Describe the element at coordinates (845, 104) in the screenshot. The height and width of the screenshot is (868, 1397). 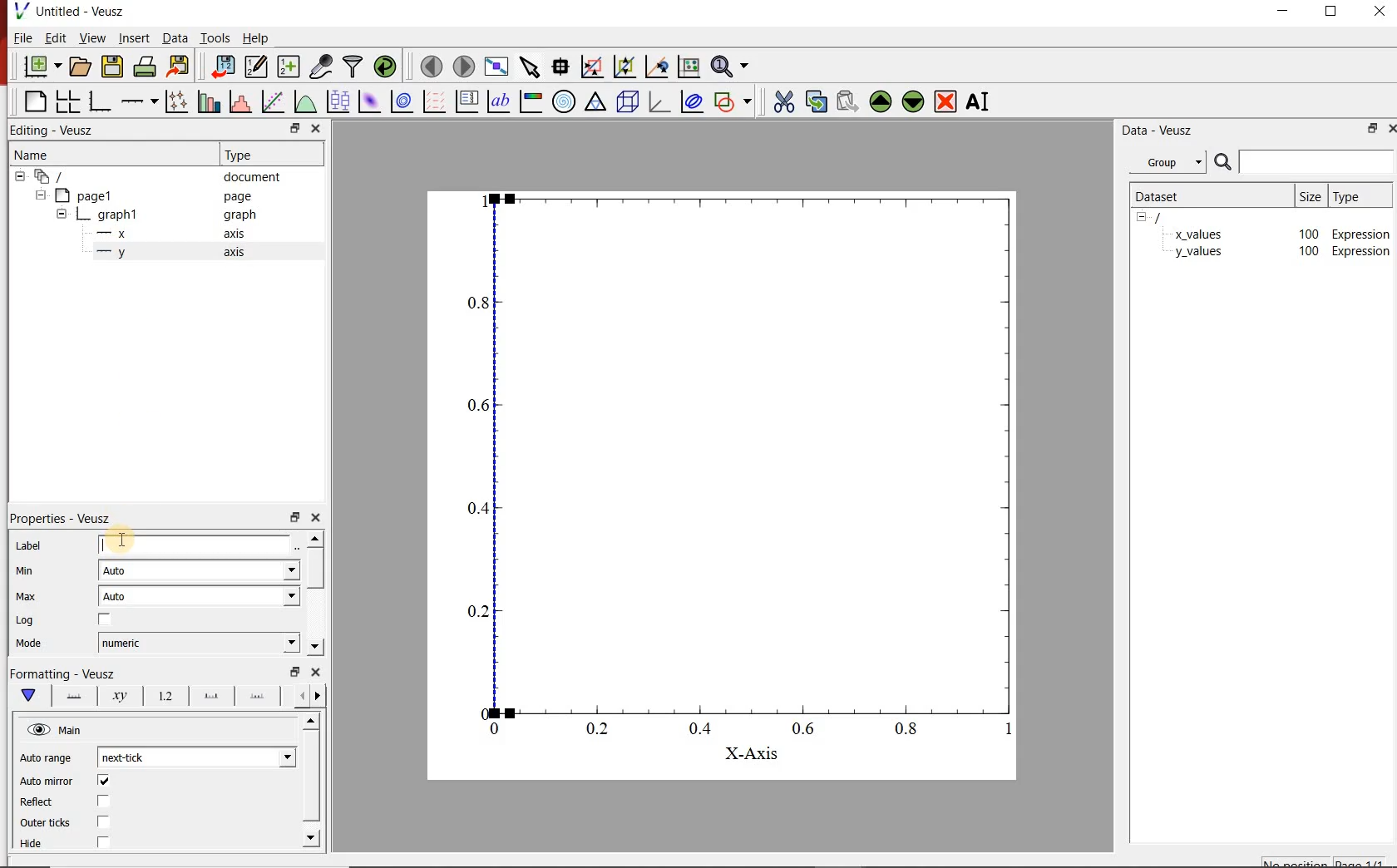
I see `paste the selected widget` at that location.